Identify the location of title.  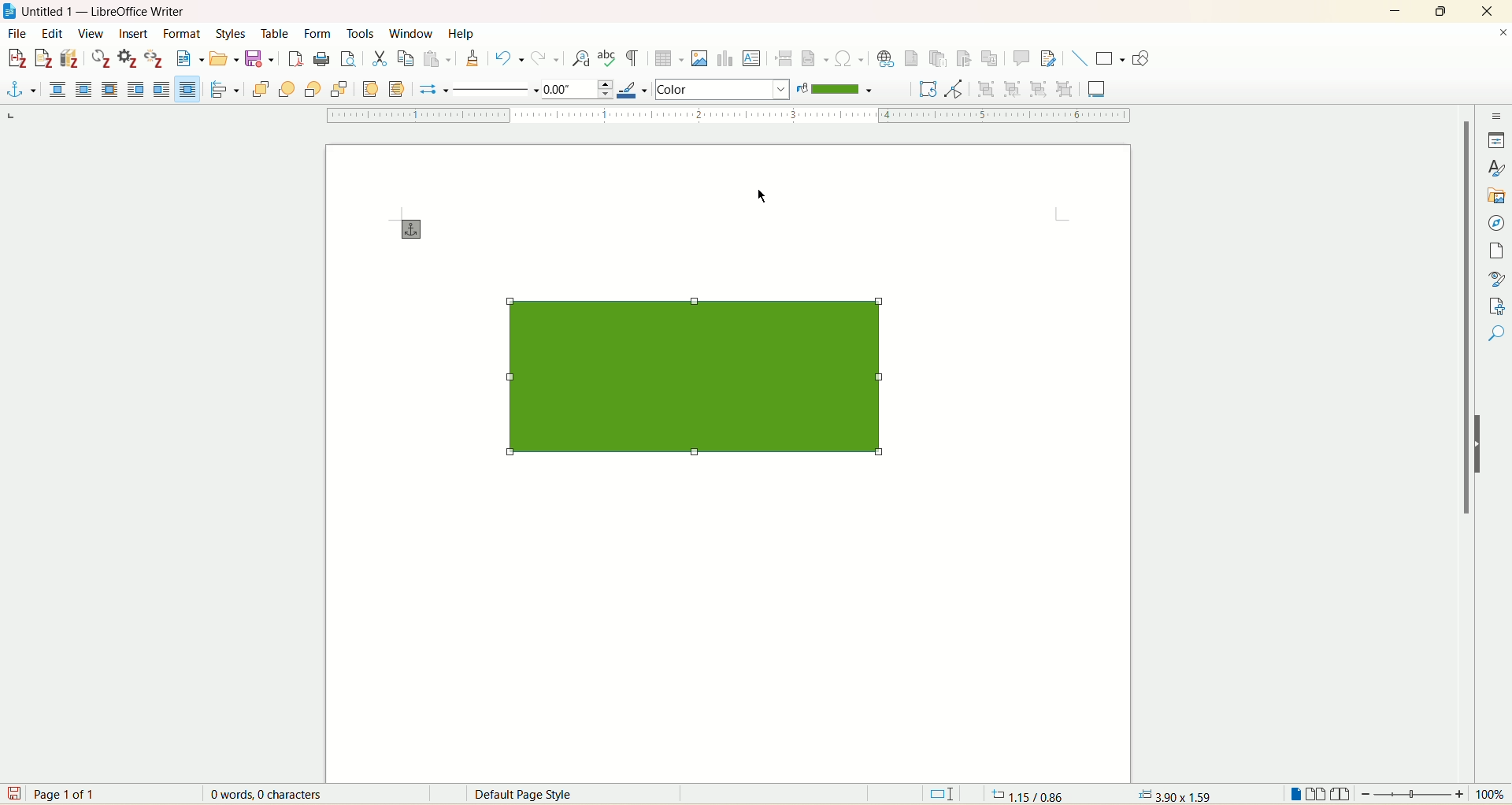
(106, 12).